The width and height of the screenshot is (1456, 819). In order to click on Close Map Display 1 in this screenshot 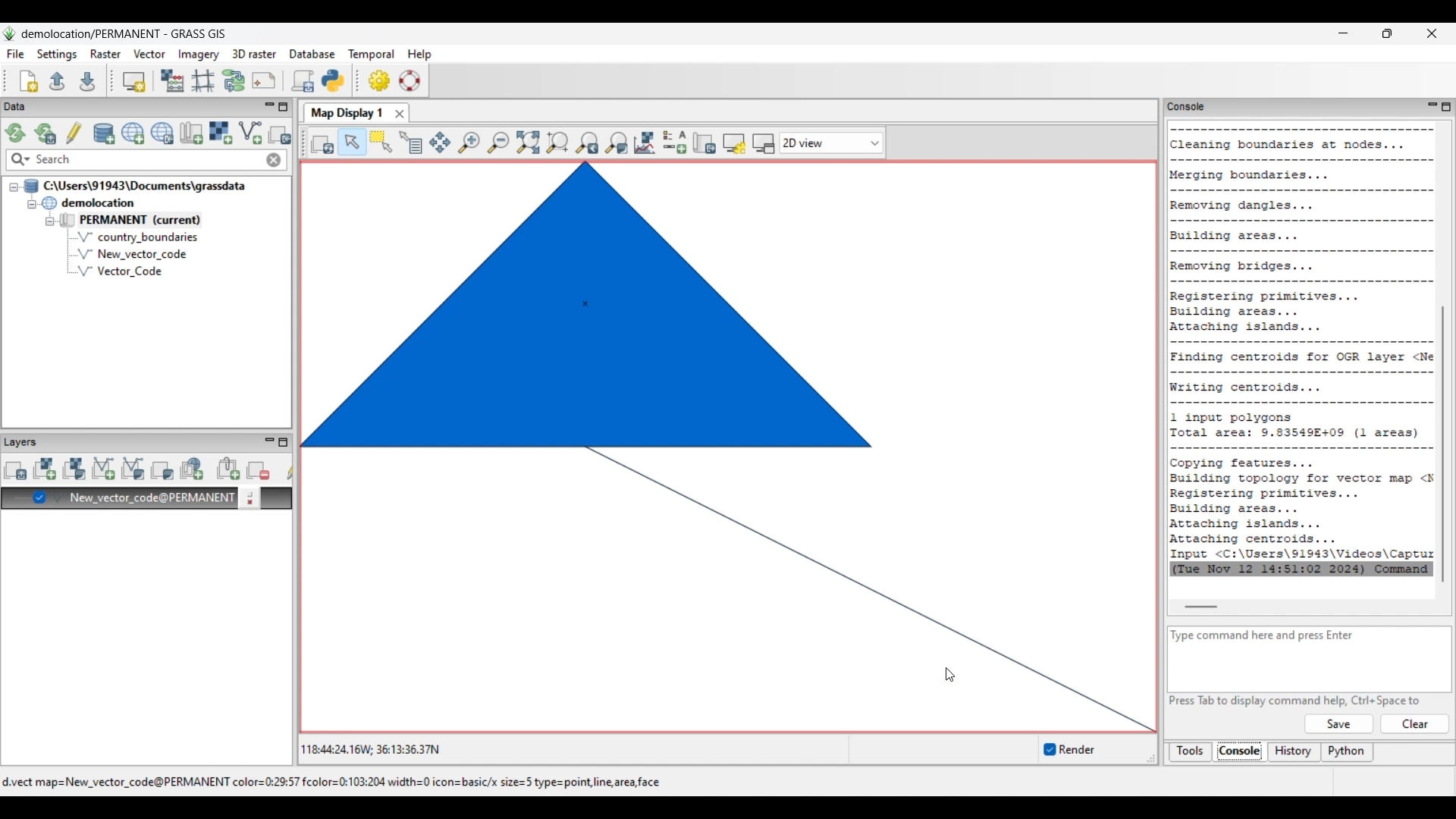, I will do `click(399, 114)`.